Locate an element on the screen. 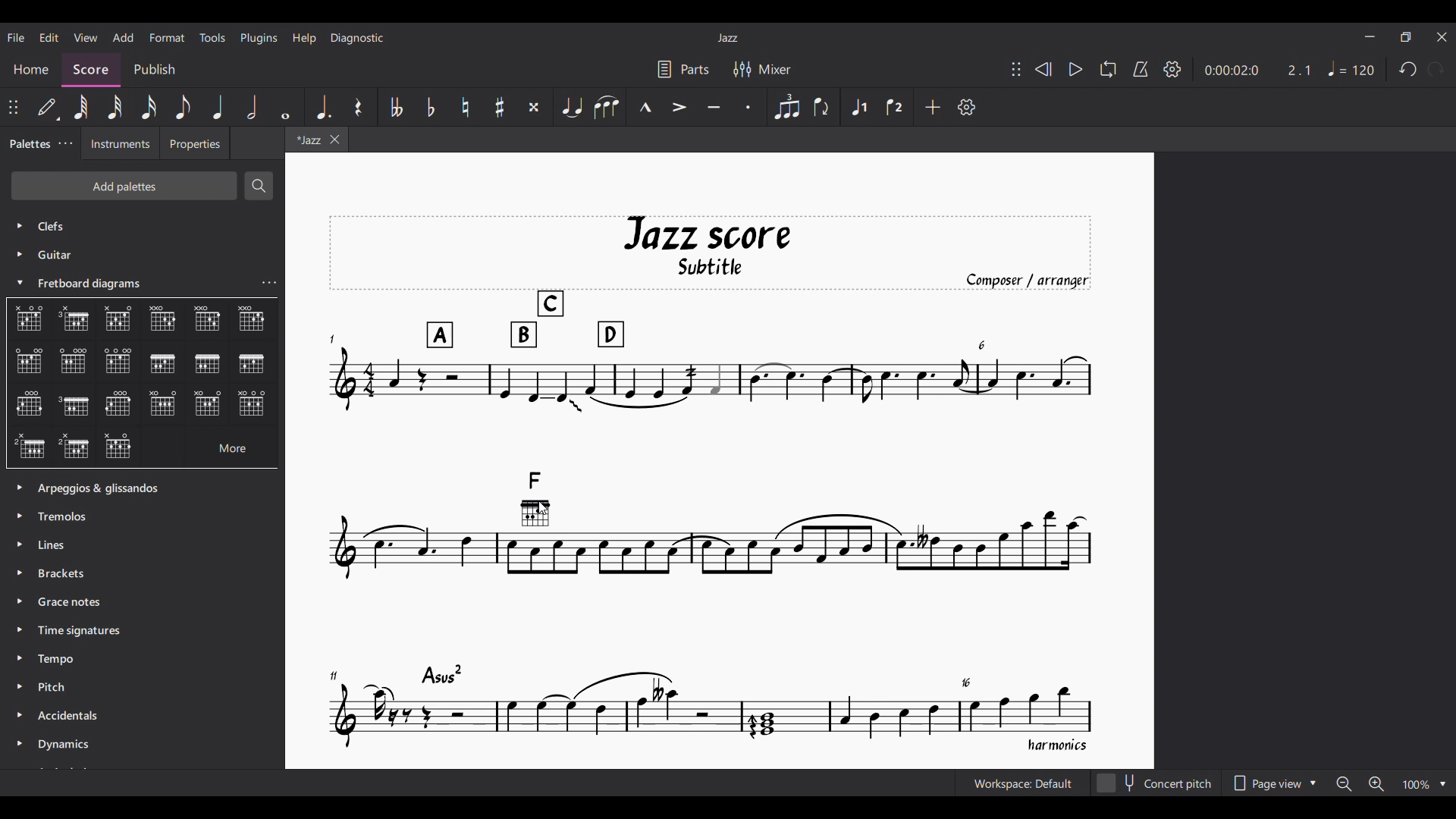 The image size is (1456, 819). Chart 2 is located at coordinates (78, 321).